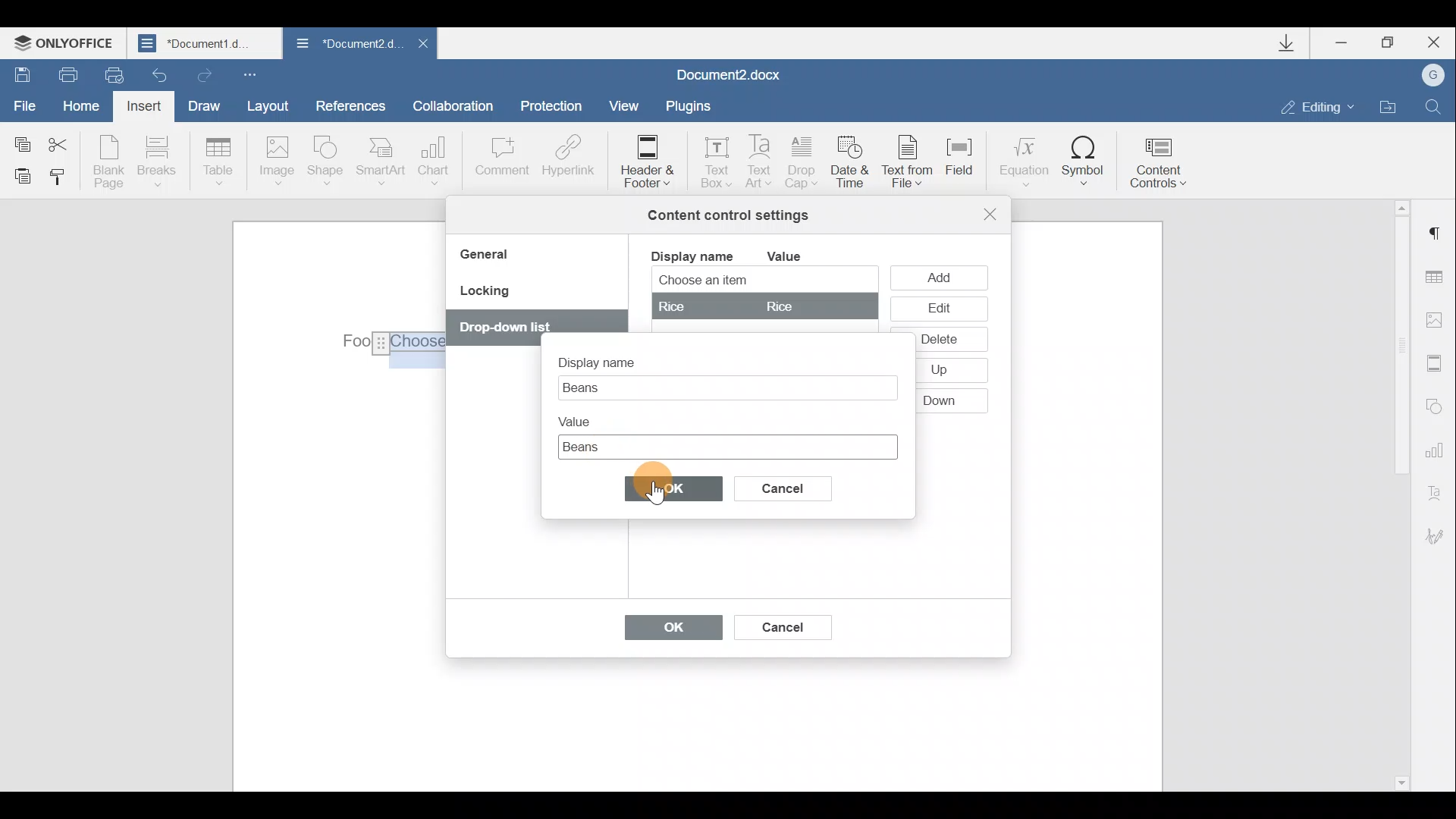  Describe the element at coordinates (1084, 160) in the screenshot. I see `Symbol` at that location.